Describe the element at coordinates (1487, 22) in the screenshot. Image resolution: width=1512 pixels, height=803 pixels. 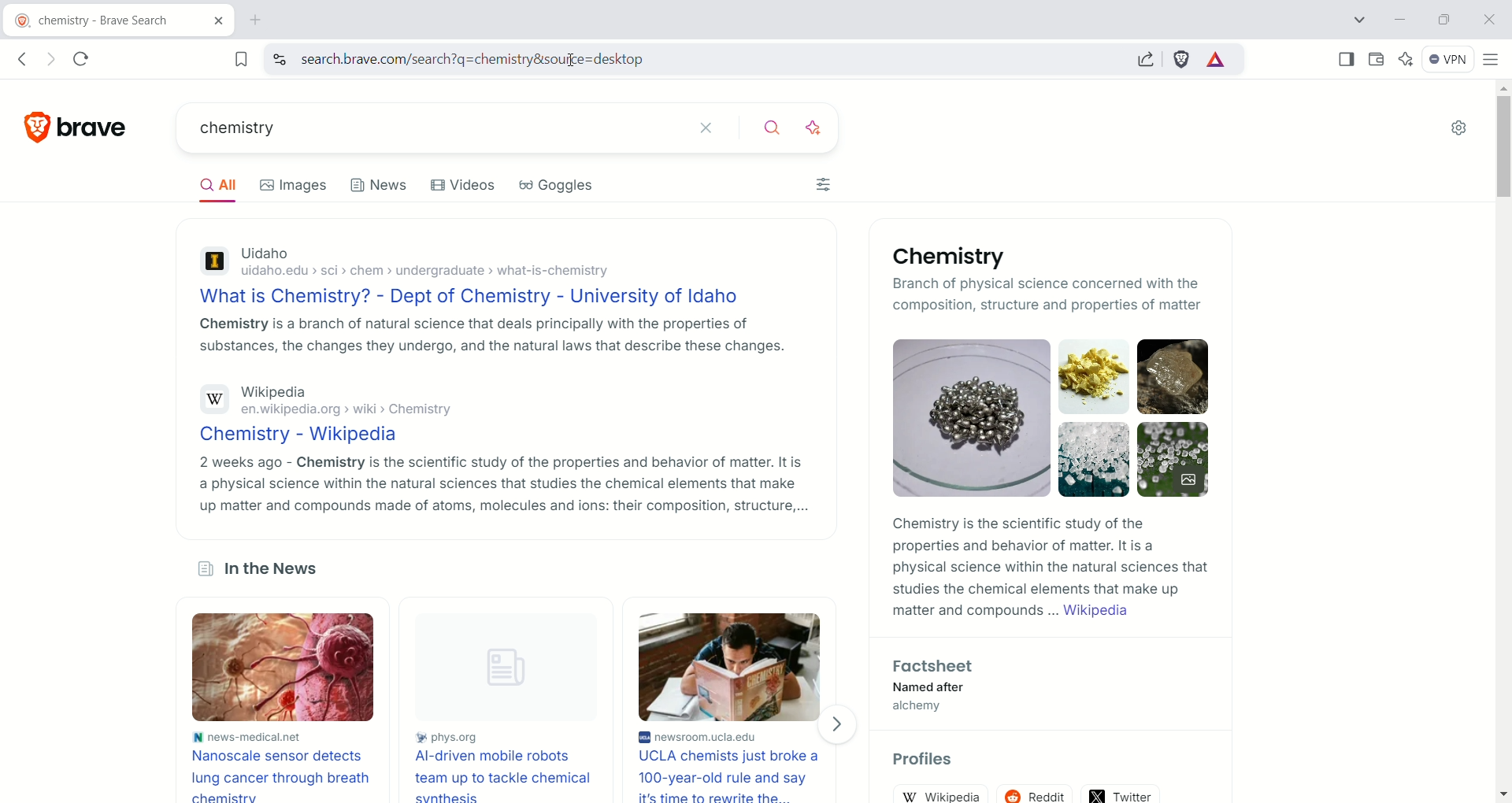
I see `close` at that location.